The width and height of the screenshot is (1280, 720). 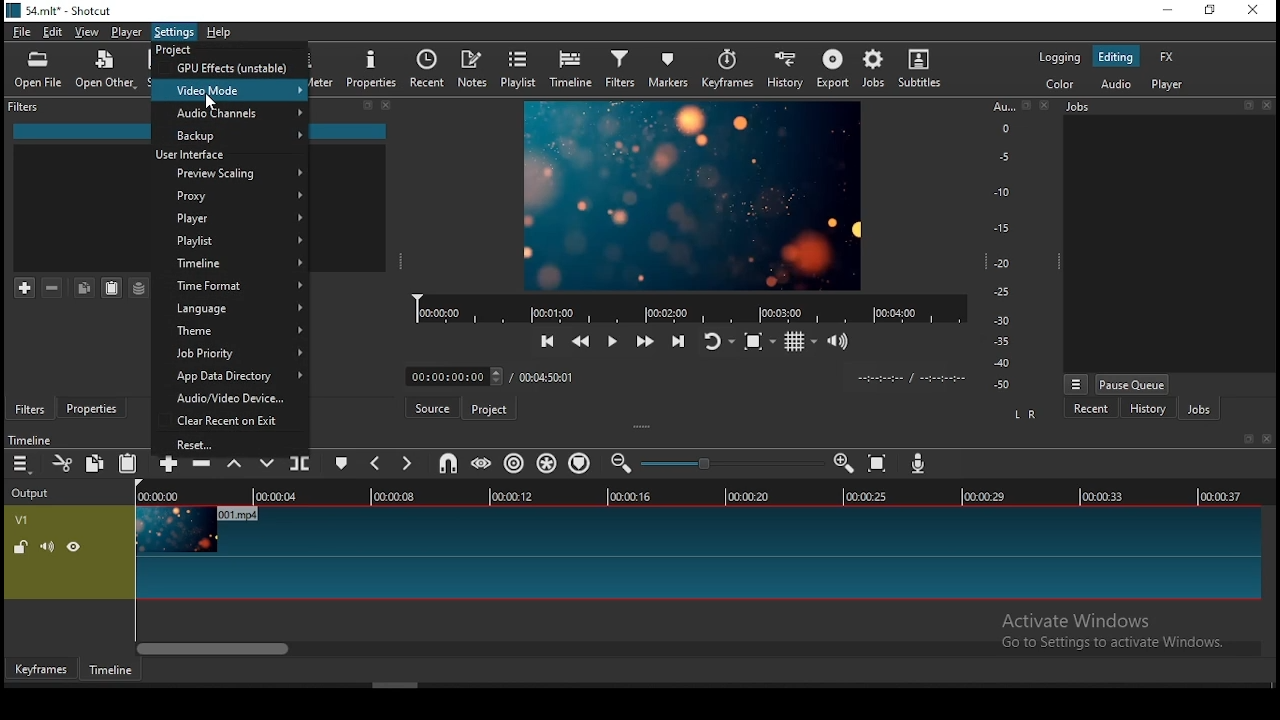 I want to click on time format, so click(x=230, y=284).